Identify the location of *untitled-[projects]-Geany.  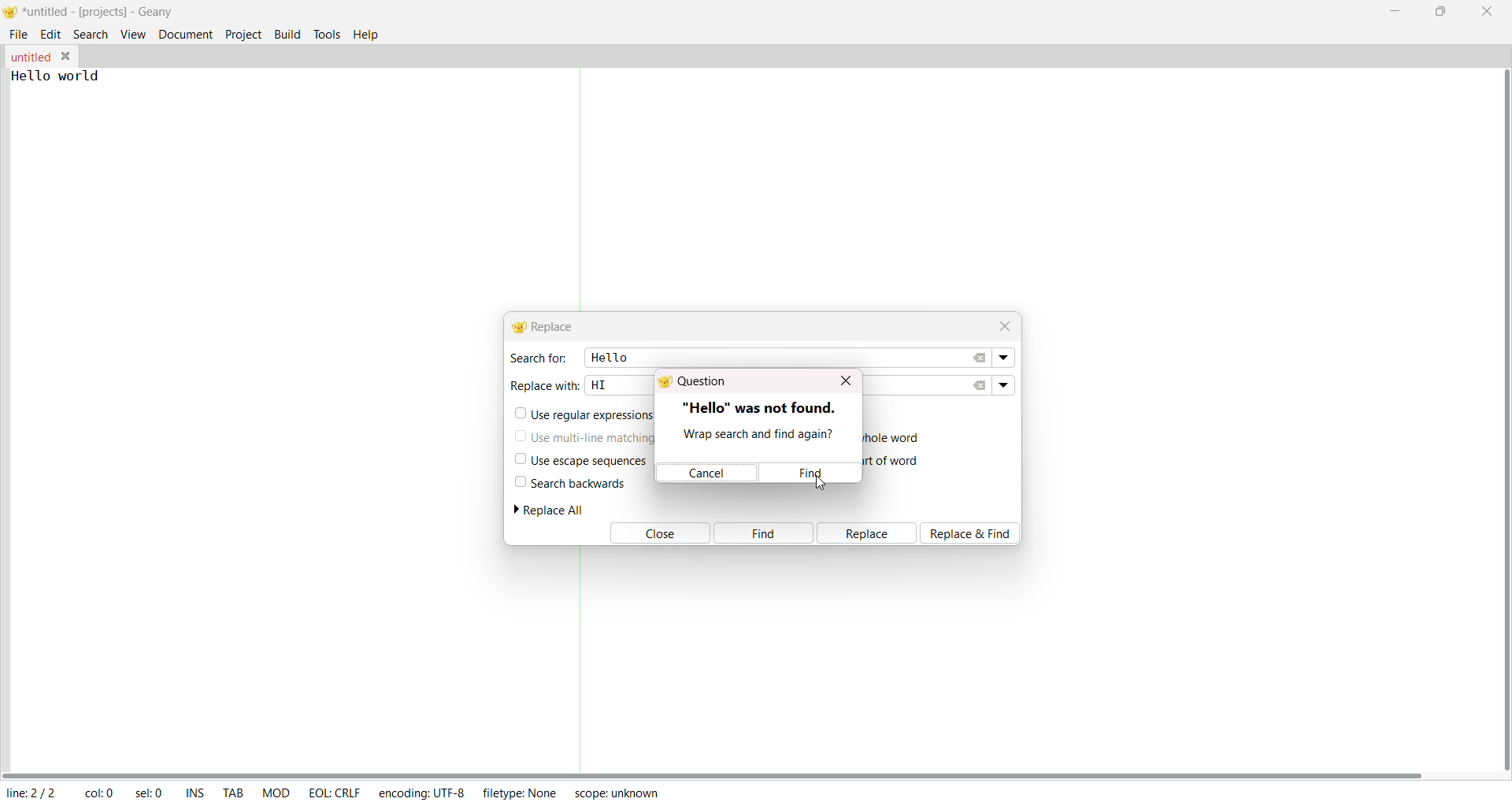
(113, 12).